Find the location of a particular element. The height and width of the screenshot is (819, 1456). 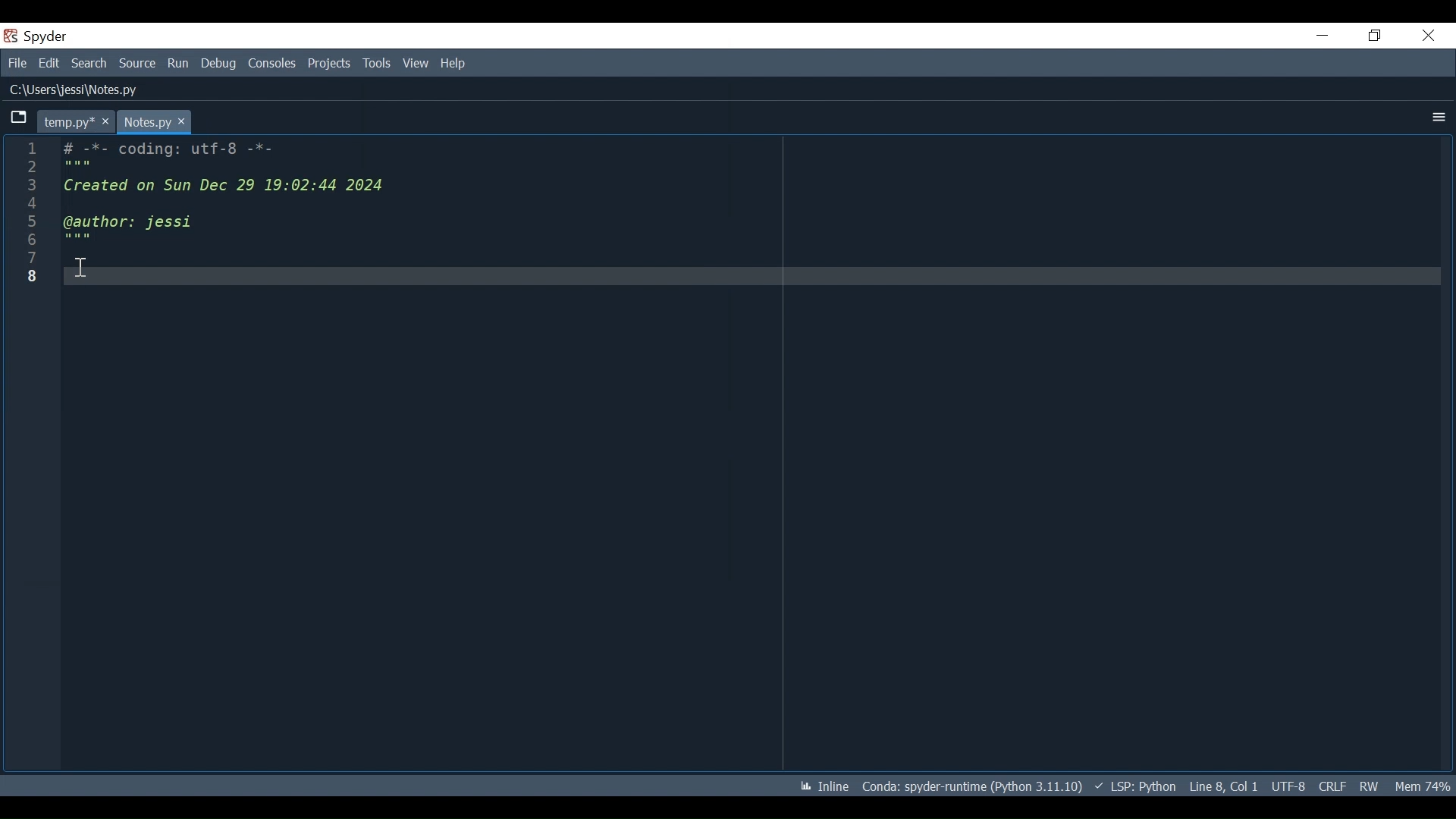

File Encoding is located at coordinates (1289, 786).